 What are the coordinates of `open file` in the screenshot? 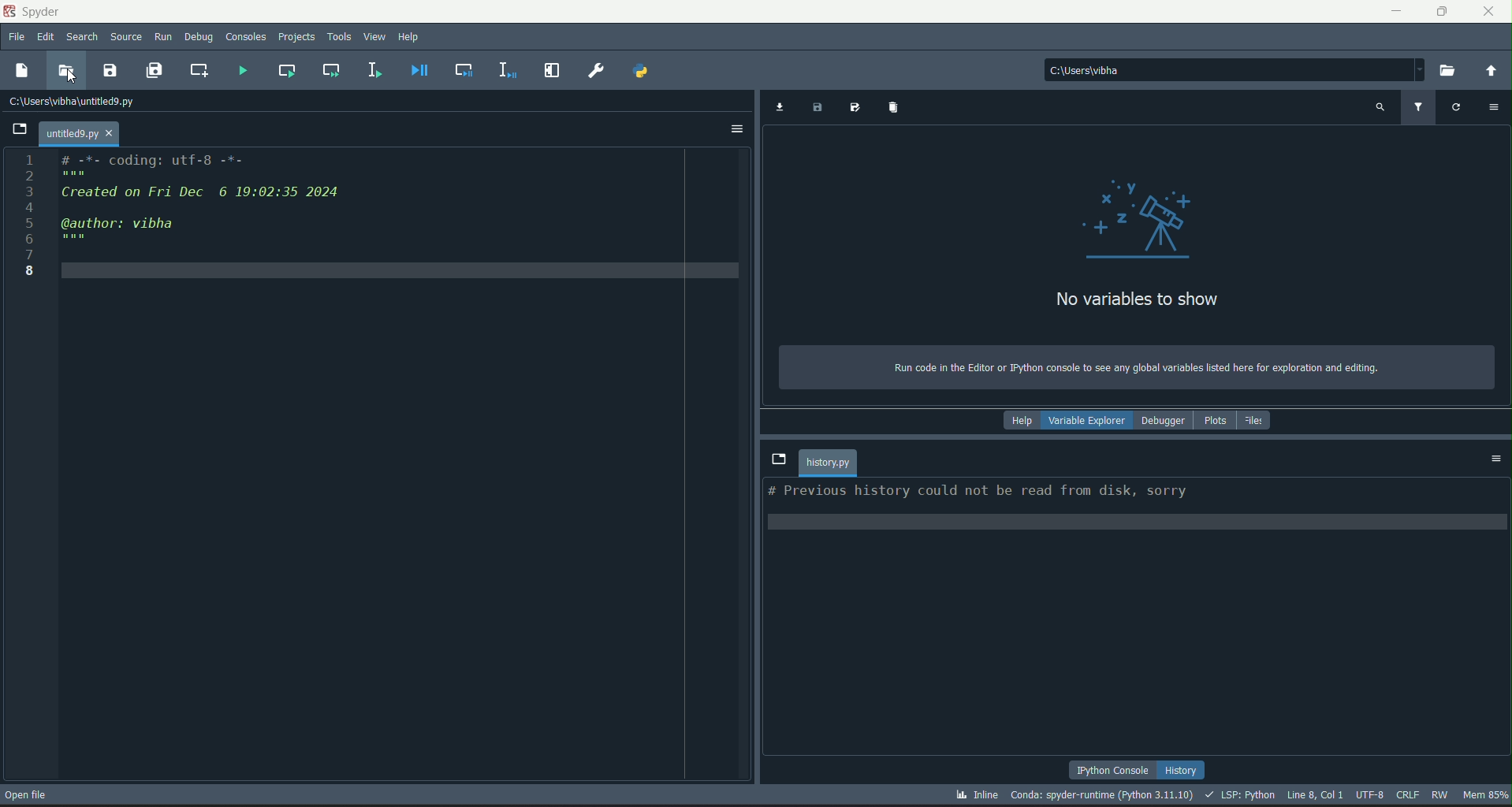 It's located at (65, 72).